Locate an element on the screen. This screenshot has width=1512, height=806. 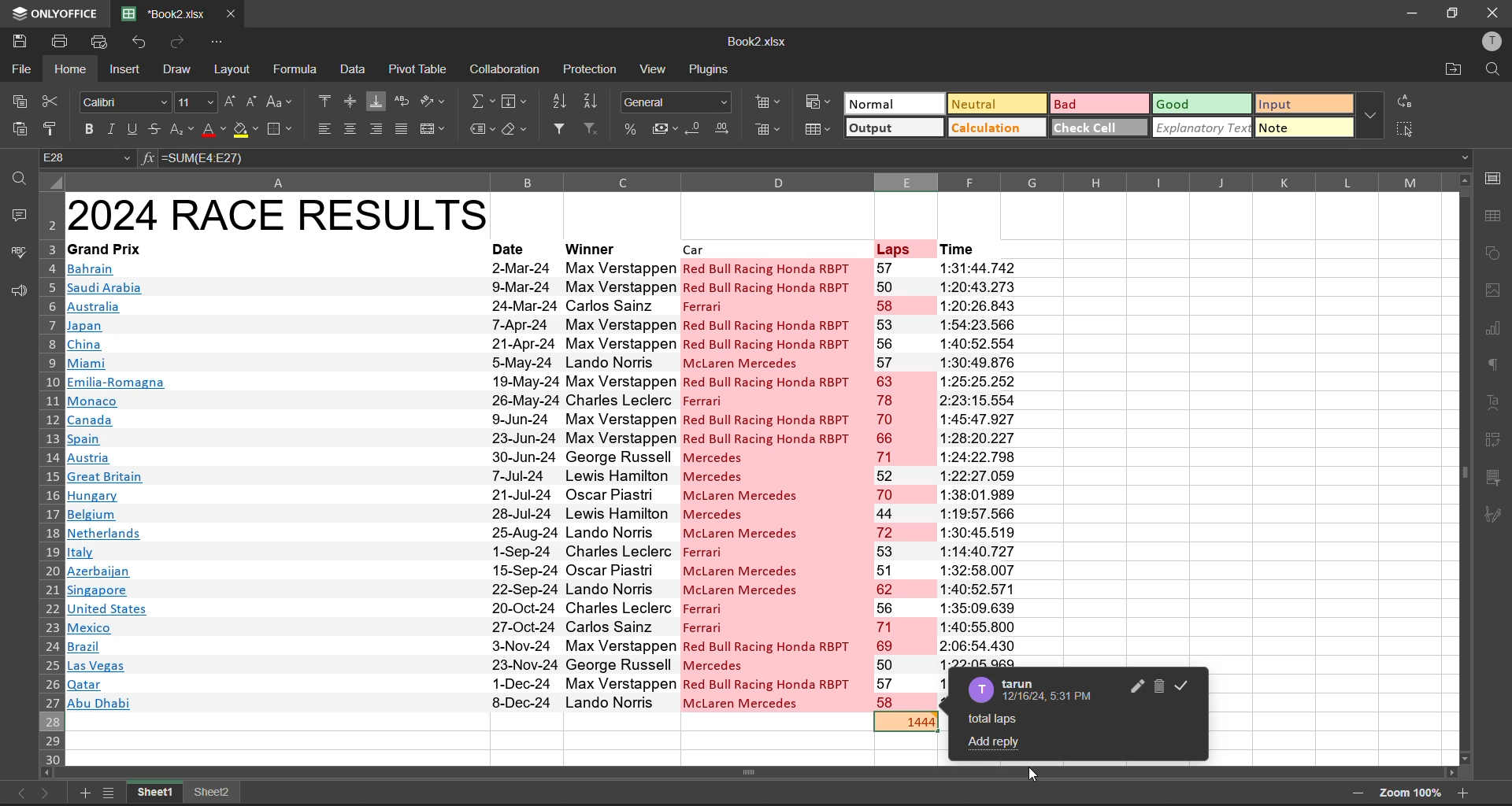
date is located at coordinates (510, 248).